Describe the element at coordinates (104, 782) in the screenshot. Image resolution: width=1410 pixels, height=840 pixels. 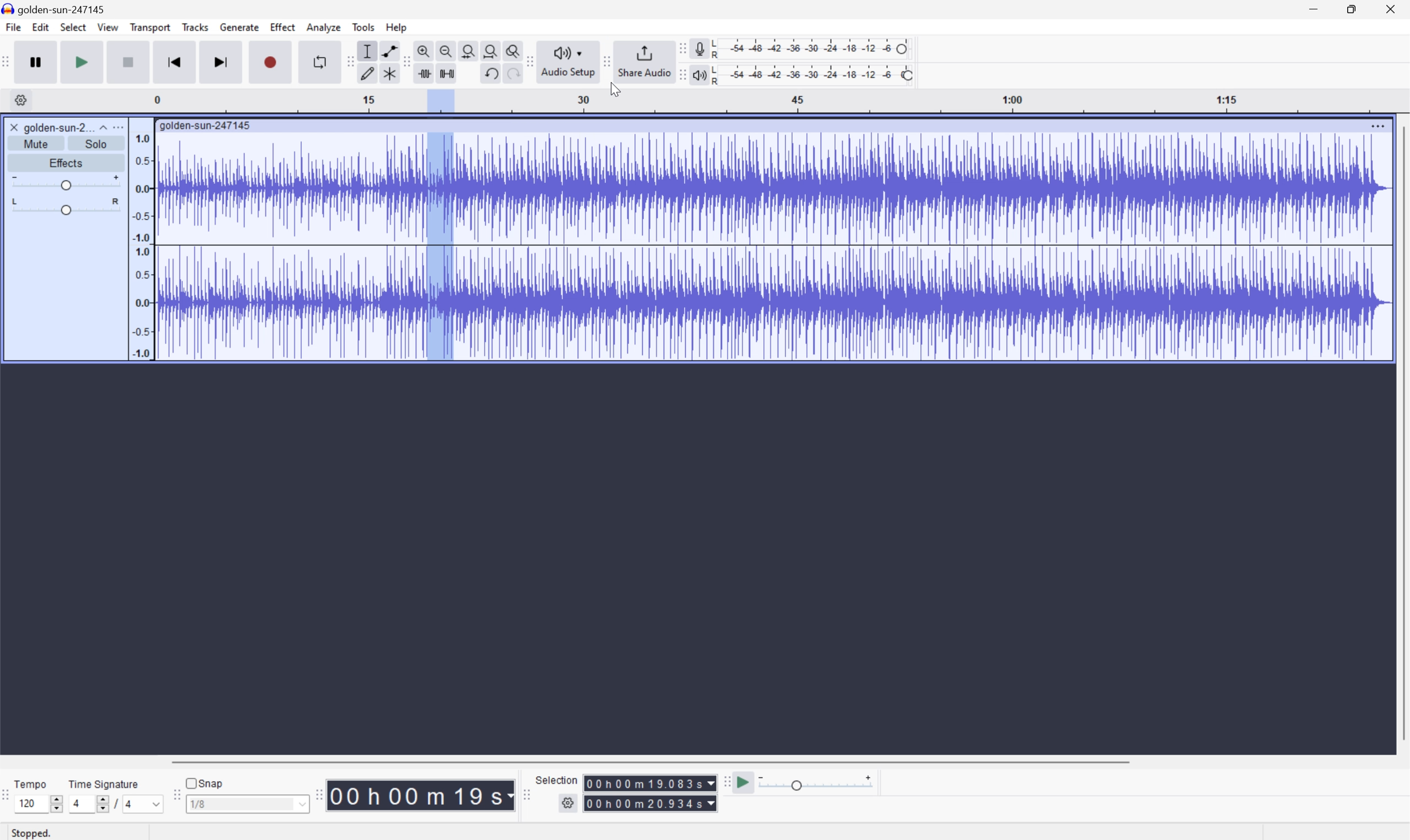
I see `Time signature` at that location.